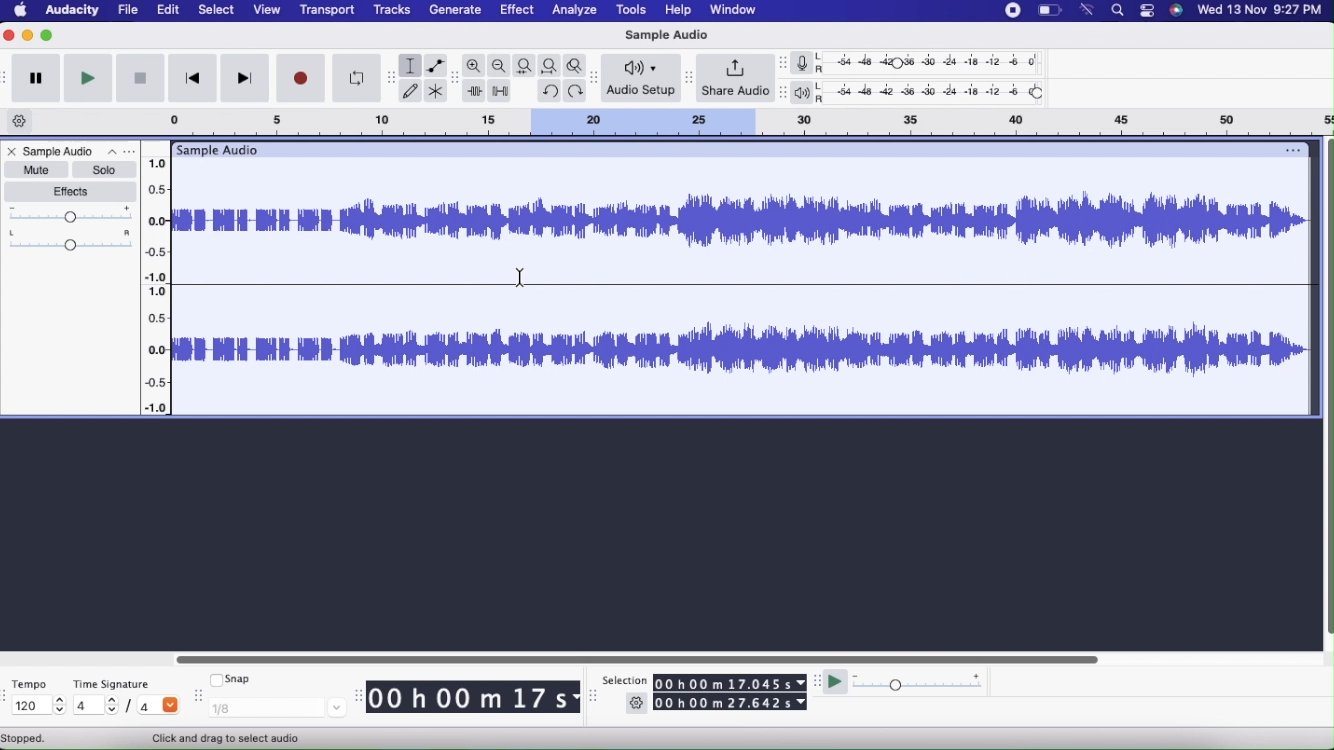  I want to click on toolbar, so click(8, 77).